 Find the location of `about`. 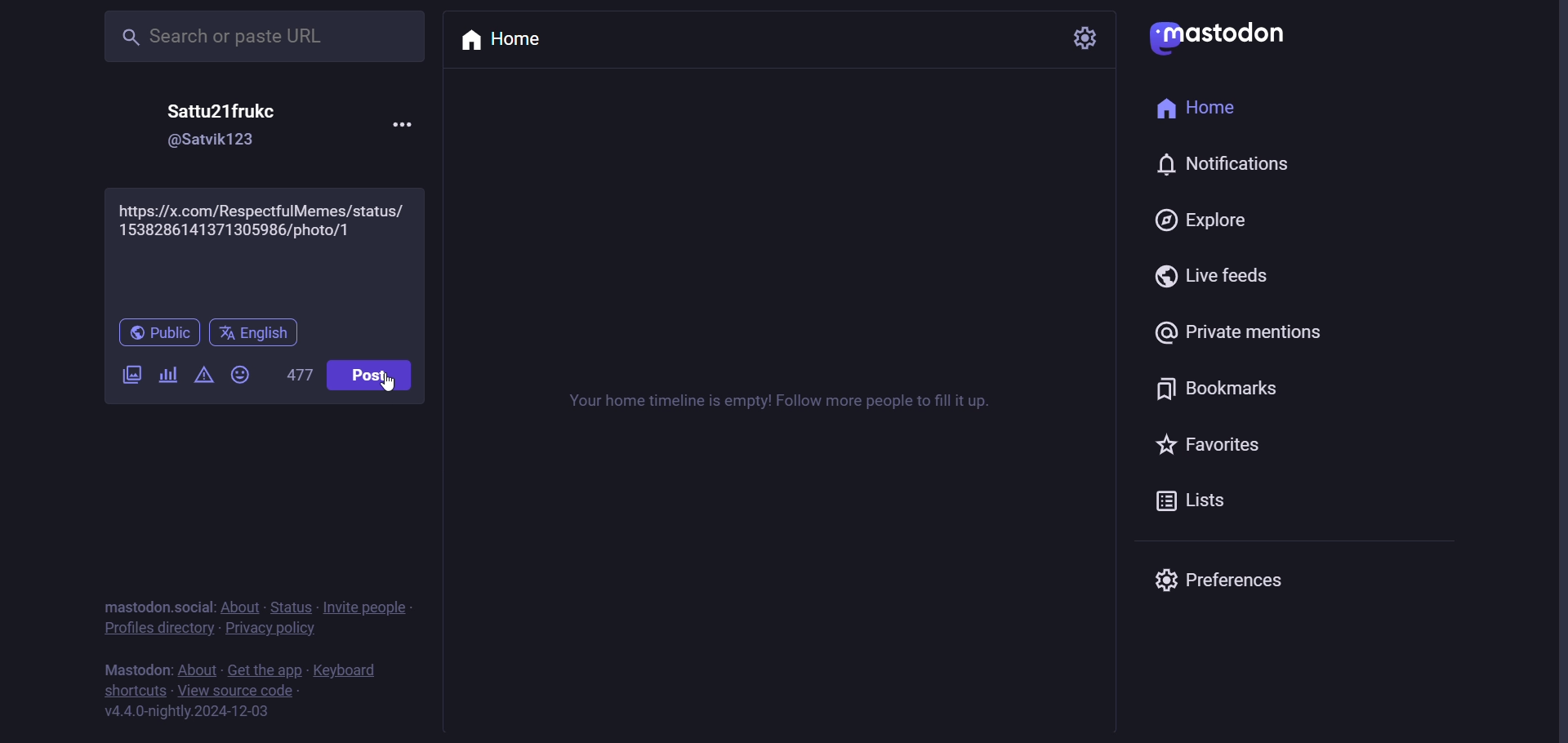

about is located at coordinates (194, 670).